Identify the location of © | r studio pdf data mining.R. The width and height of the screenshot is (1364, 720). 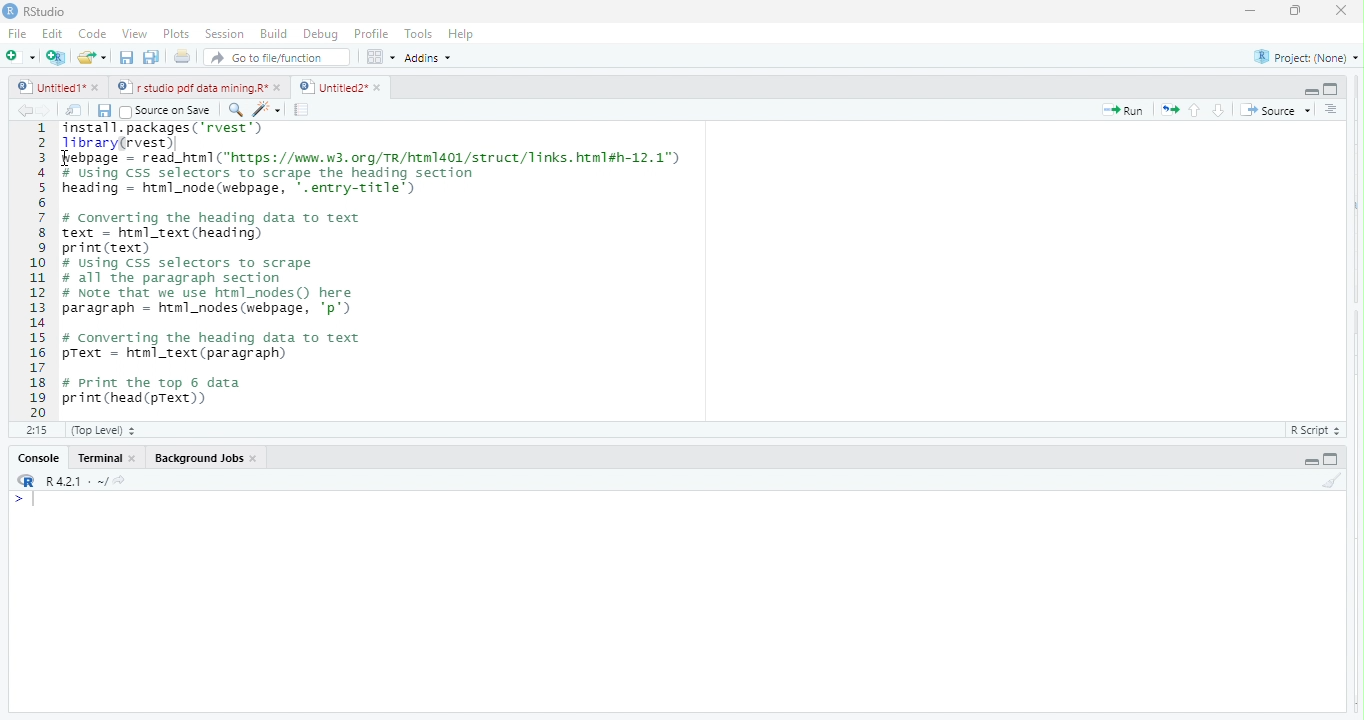
(194, 88).